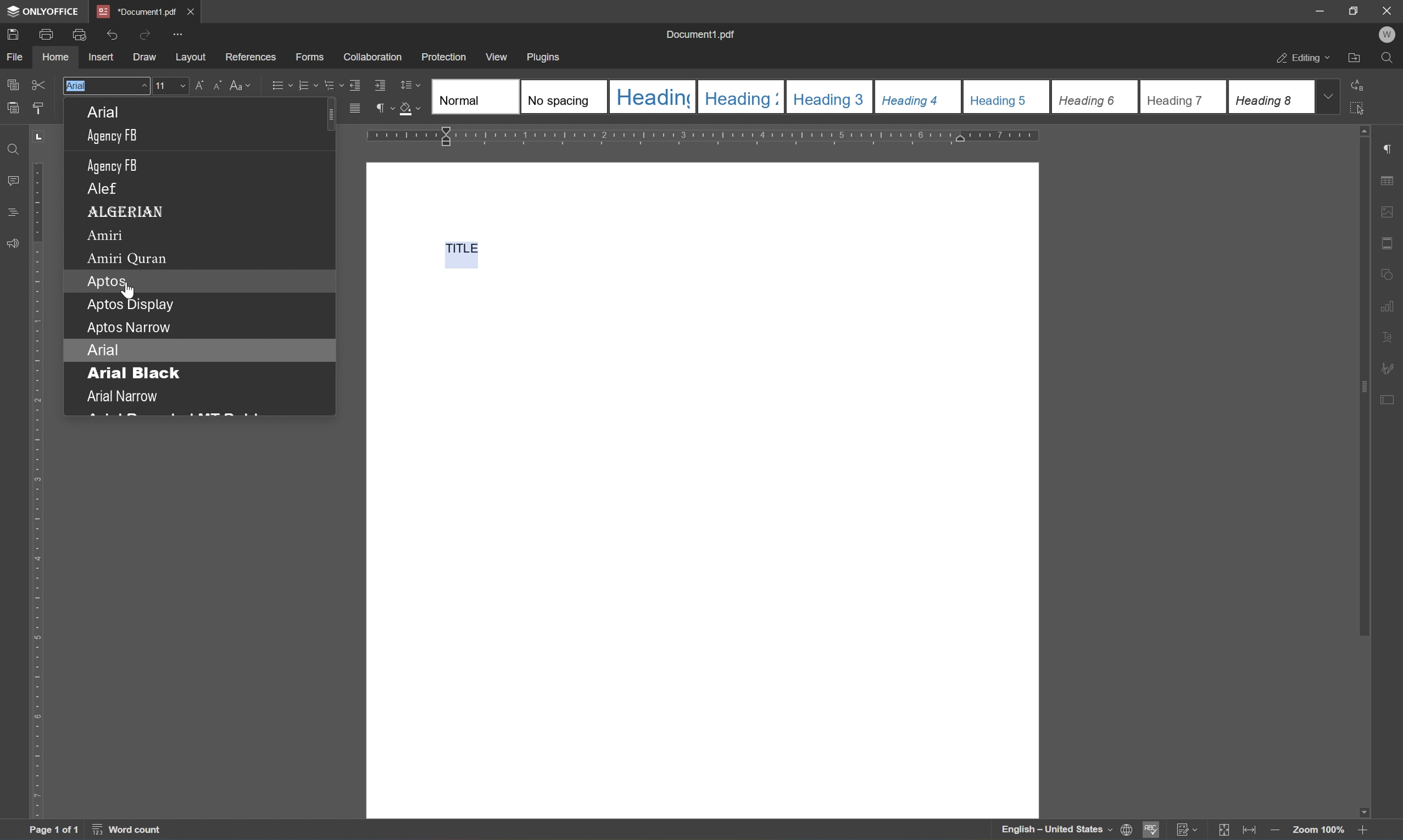  What do you see at coordinates (872, 97) in the screenshot?
I see `Type of headings` at bounding box center [872, 97].